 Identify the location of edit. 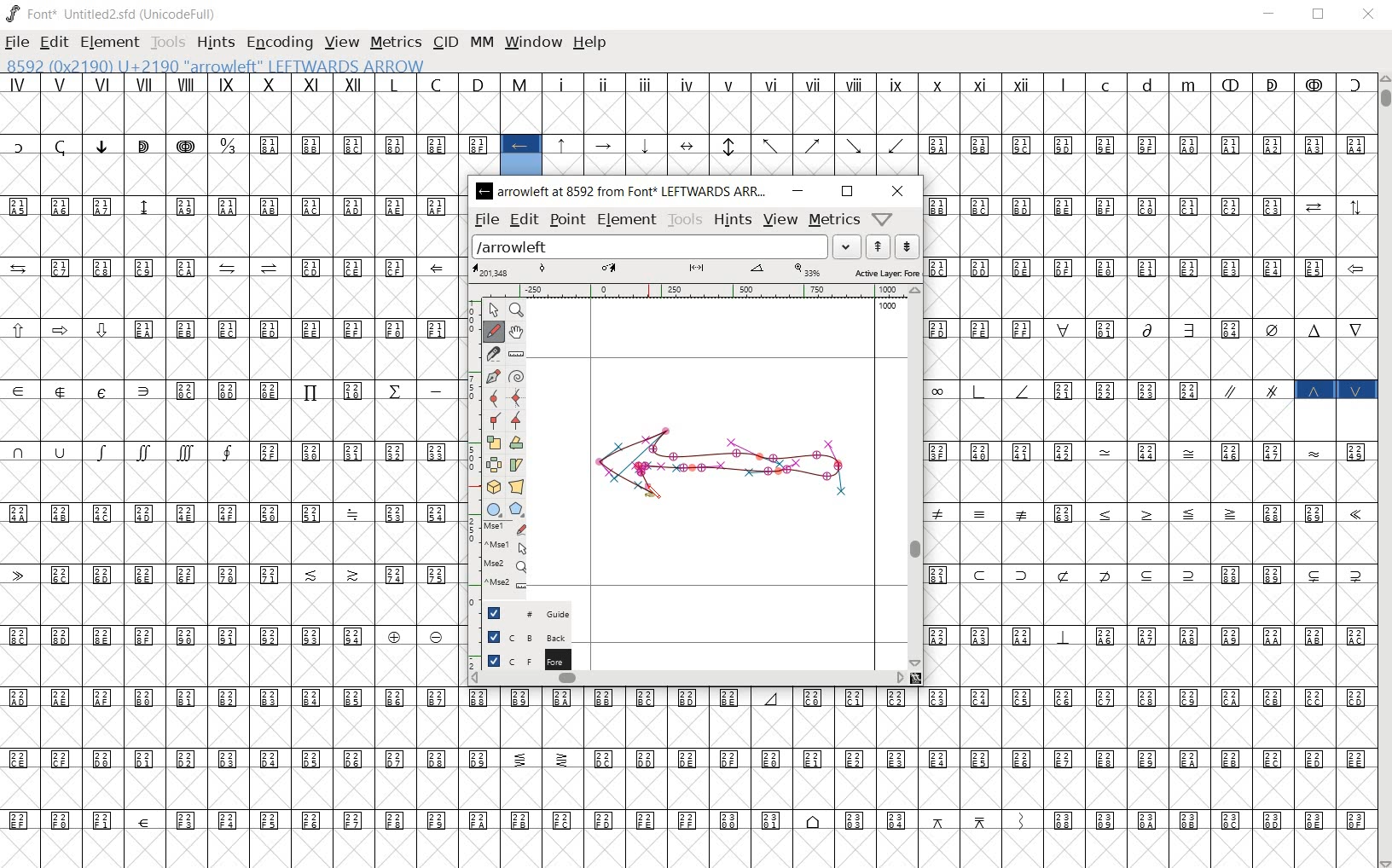
(523, 220).